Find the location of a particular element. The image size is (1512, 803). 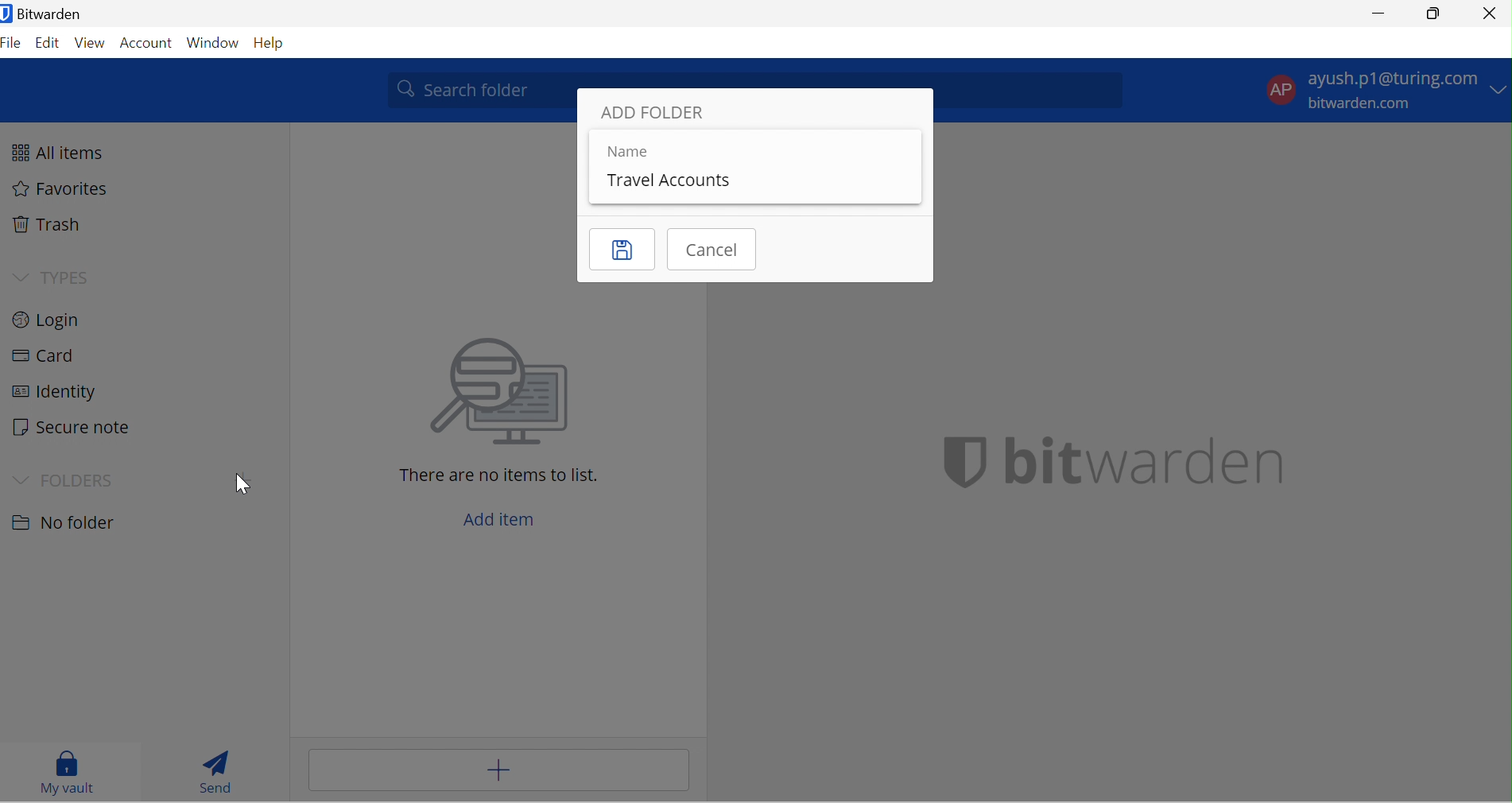

View is located at coordinates (91, 41).